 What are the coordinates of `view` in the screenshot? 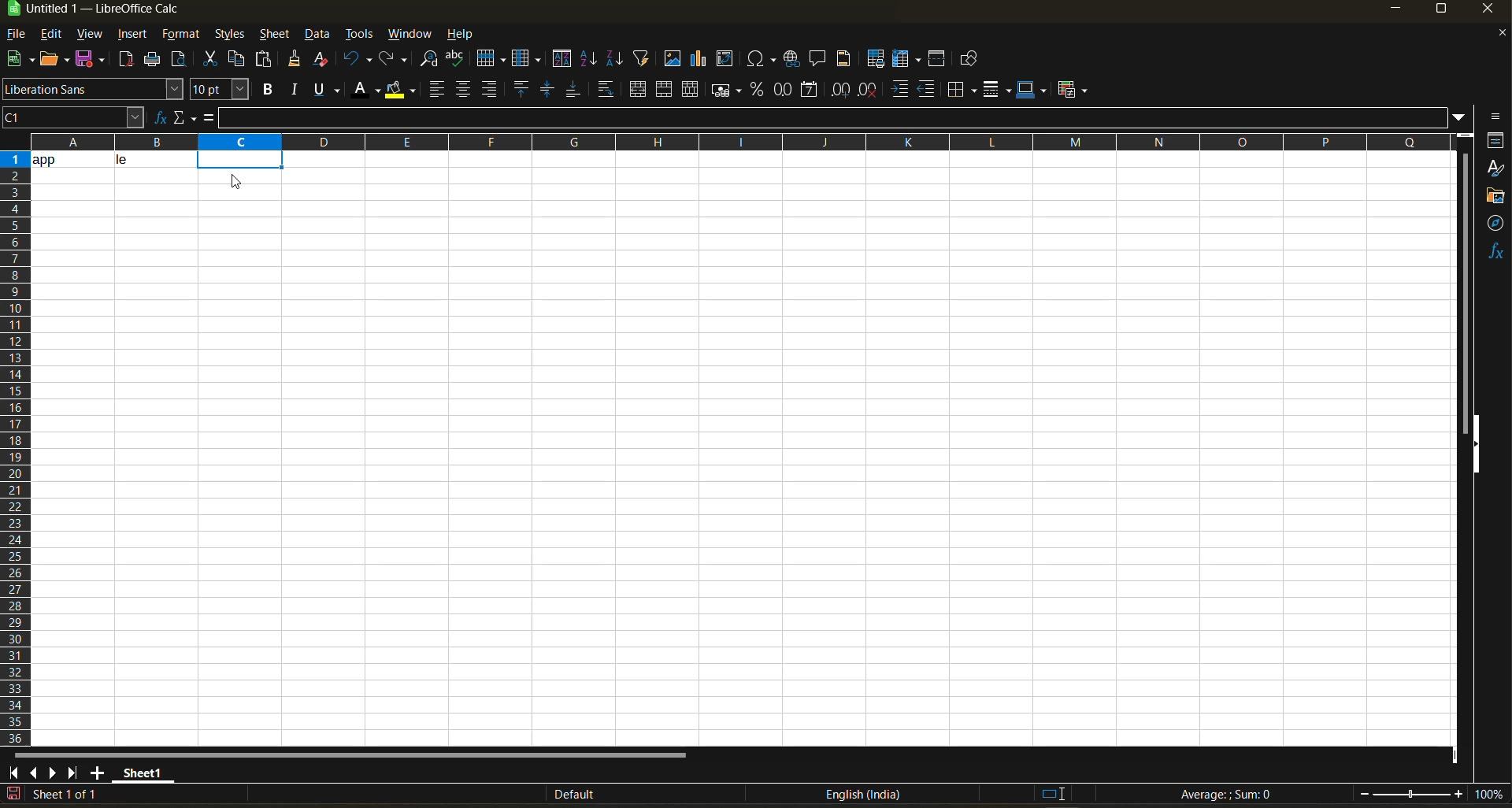 It's located at (89, 35).